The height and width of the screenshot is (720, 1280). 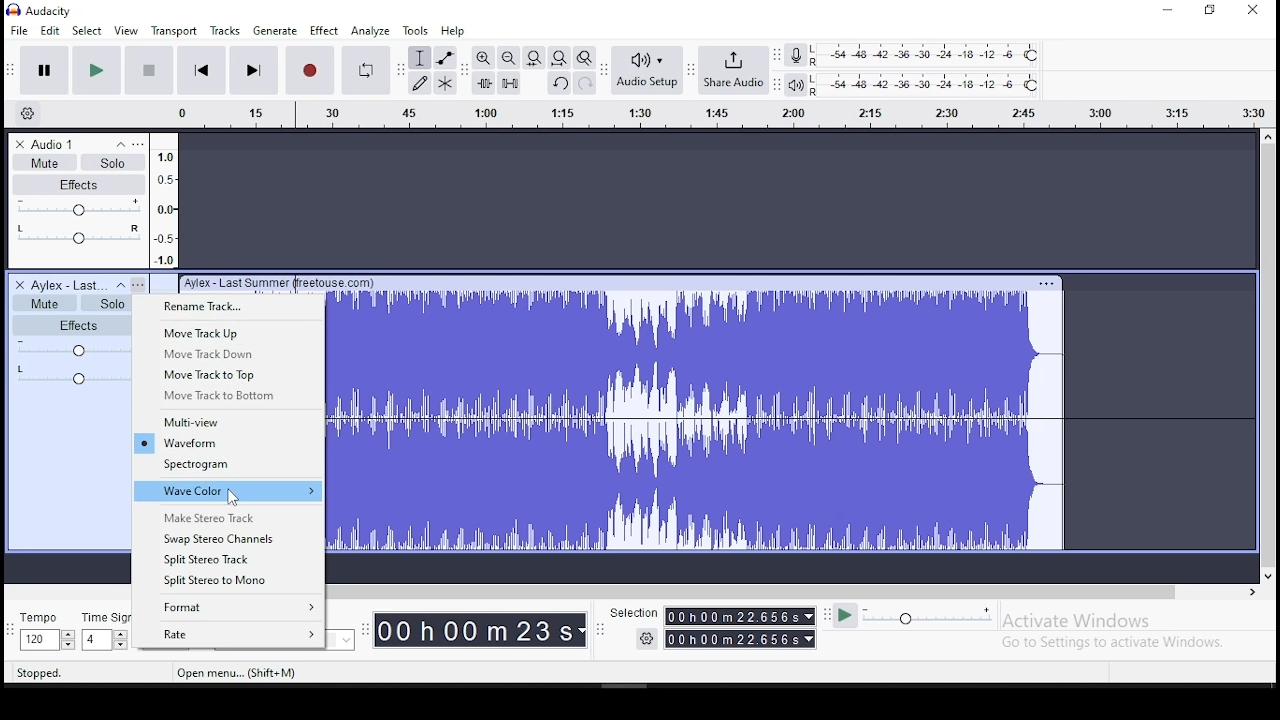 What do you see at coordinates (309, 70) in the screenshot?
I see `record` at bounding box center [309, 70].